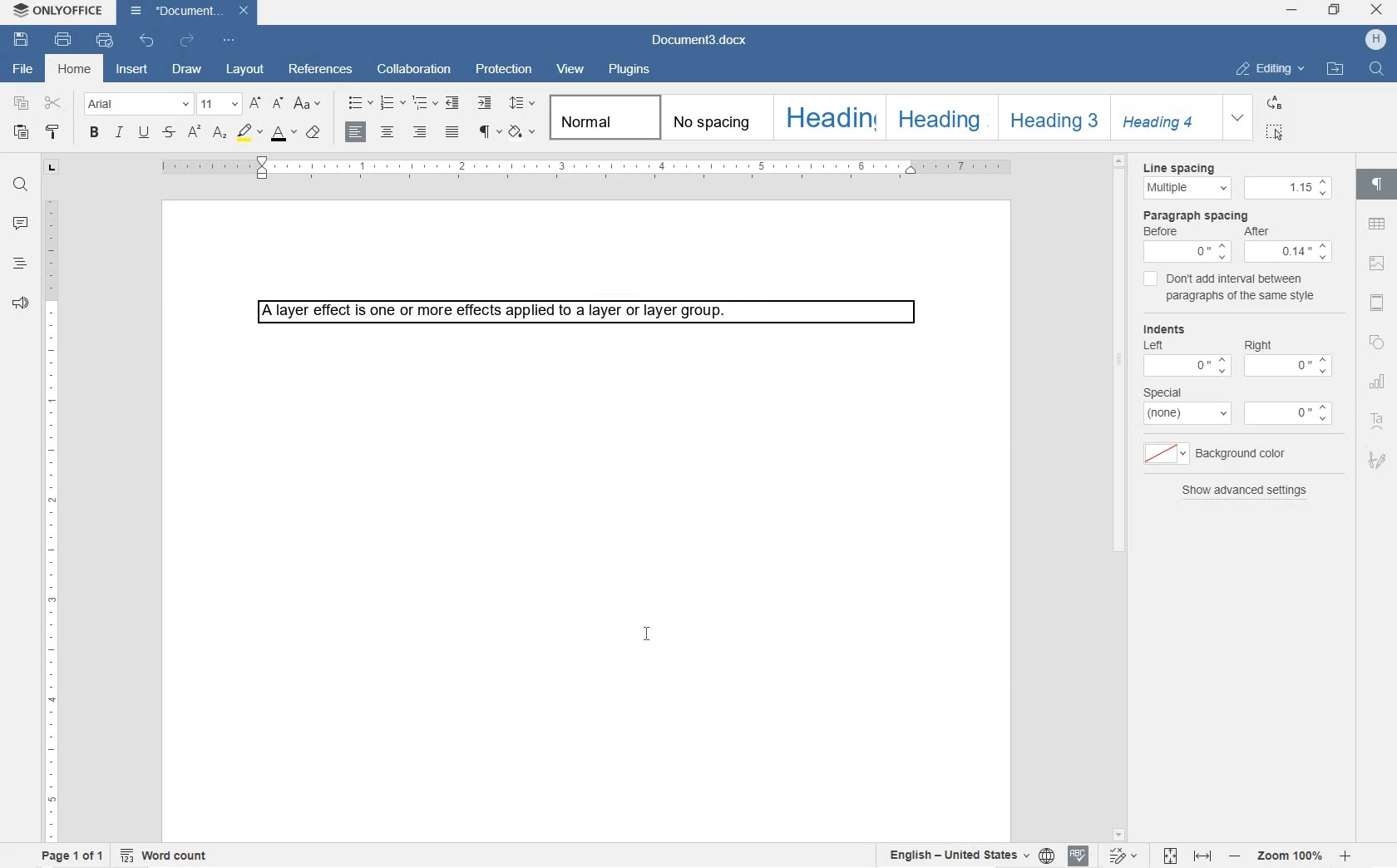  Describe the element at coordinates (1286, 353) in the screenshot. I see `Right` at that location.